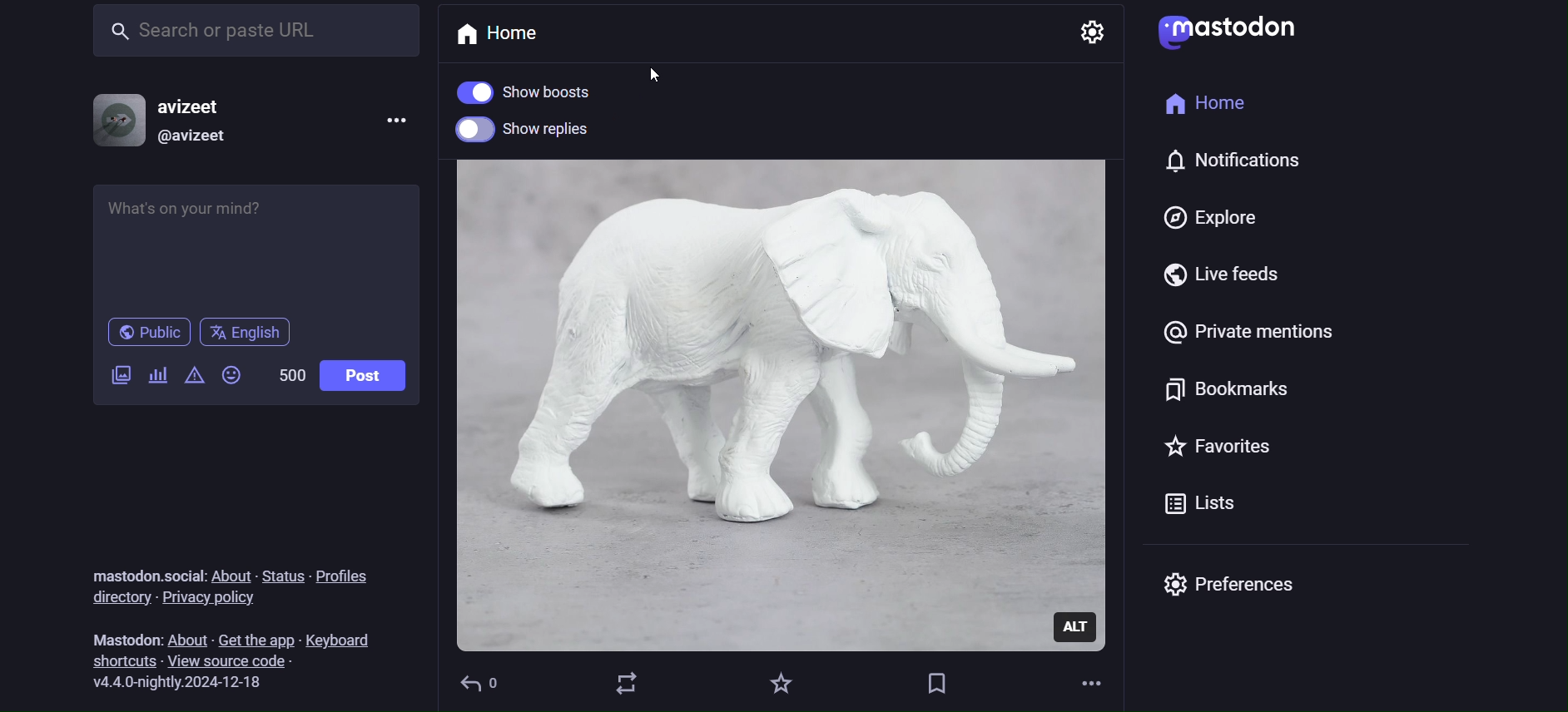 This screenshot has width=1568, height=712. What do you see at coordinates (1245, 339) in the screenshot?
I see `private mentions` at bounding box center [1245, 339].